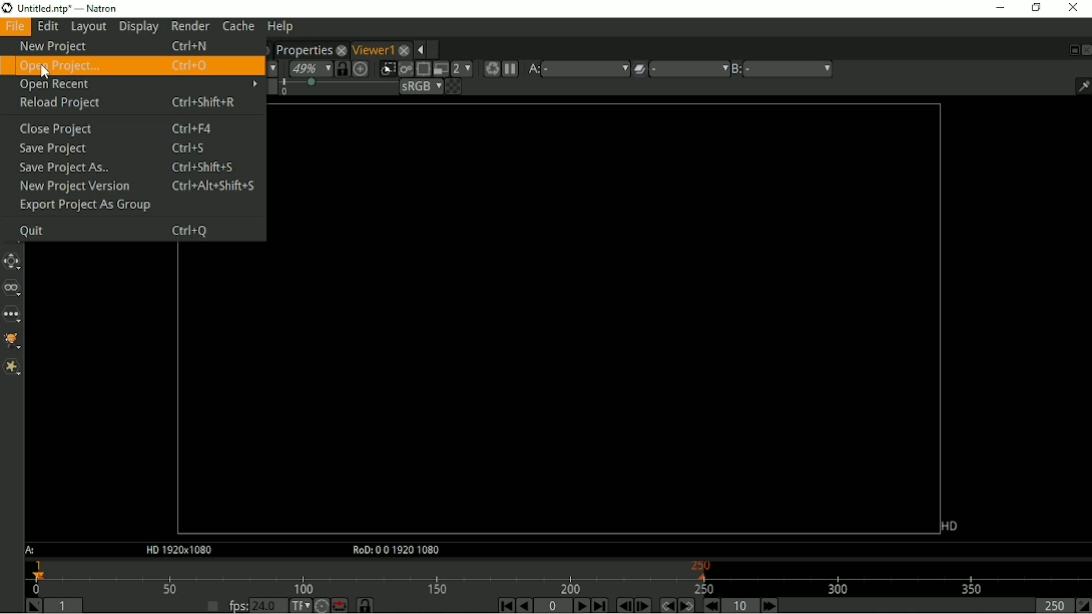 The image size is (1092, 614). What do you see at coordinates (212, 605) in the screenshot?
I see `Set playback frame rate automatically` at bounding box center [212, 605].